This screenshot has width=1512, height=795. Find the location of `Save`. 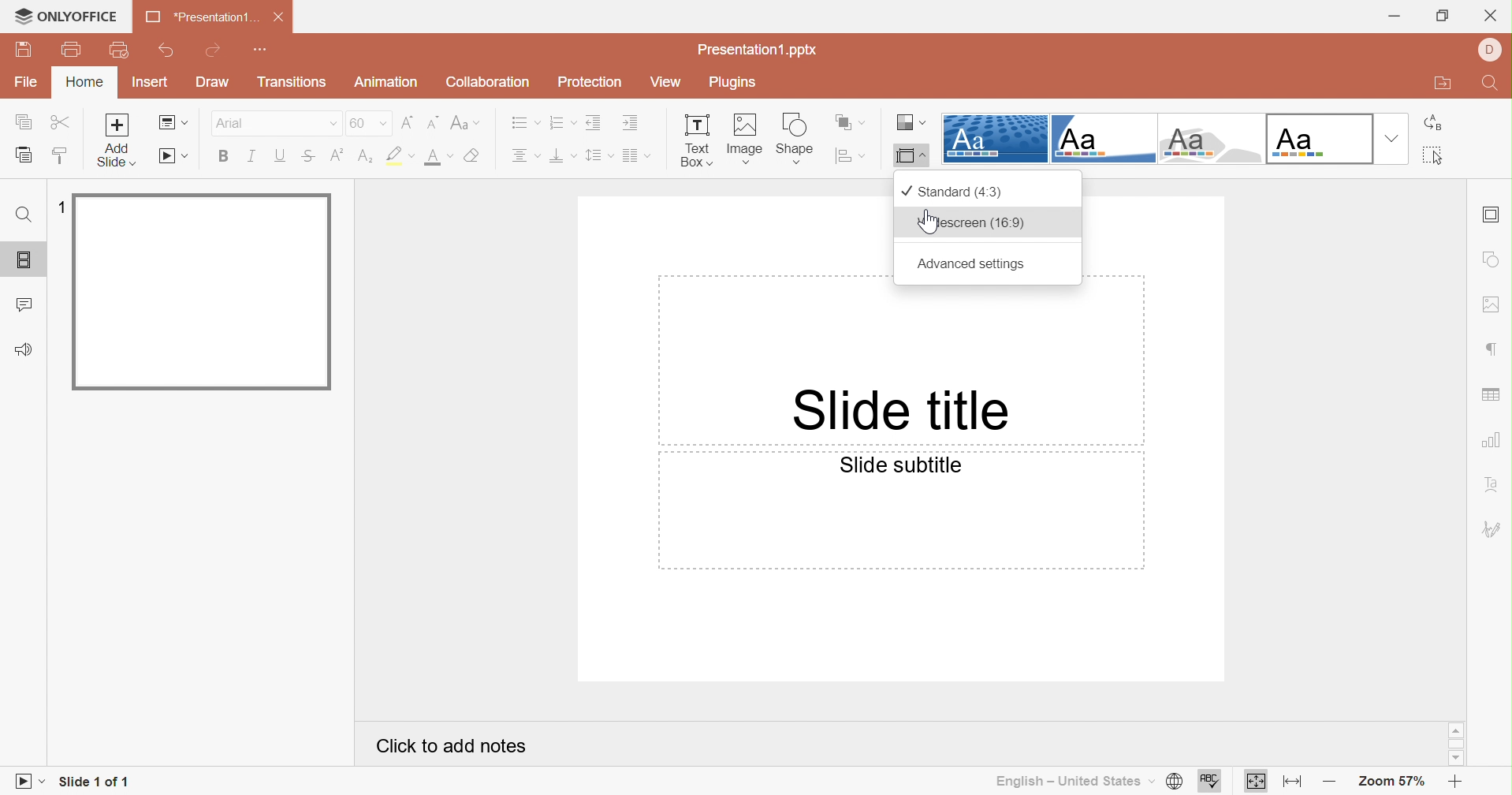

Save is located at coordinates (24, 50).